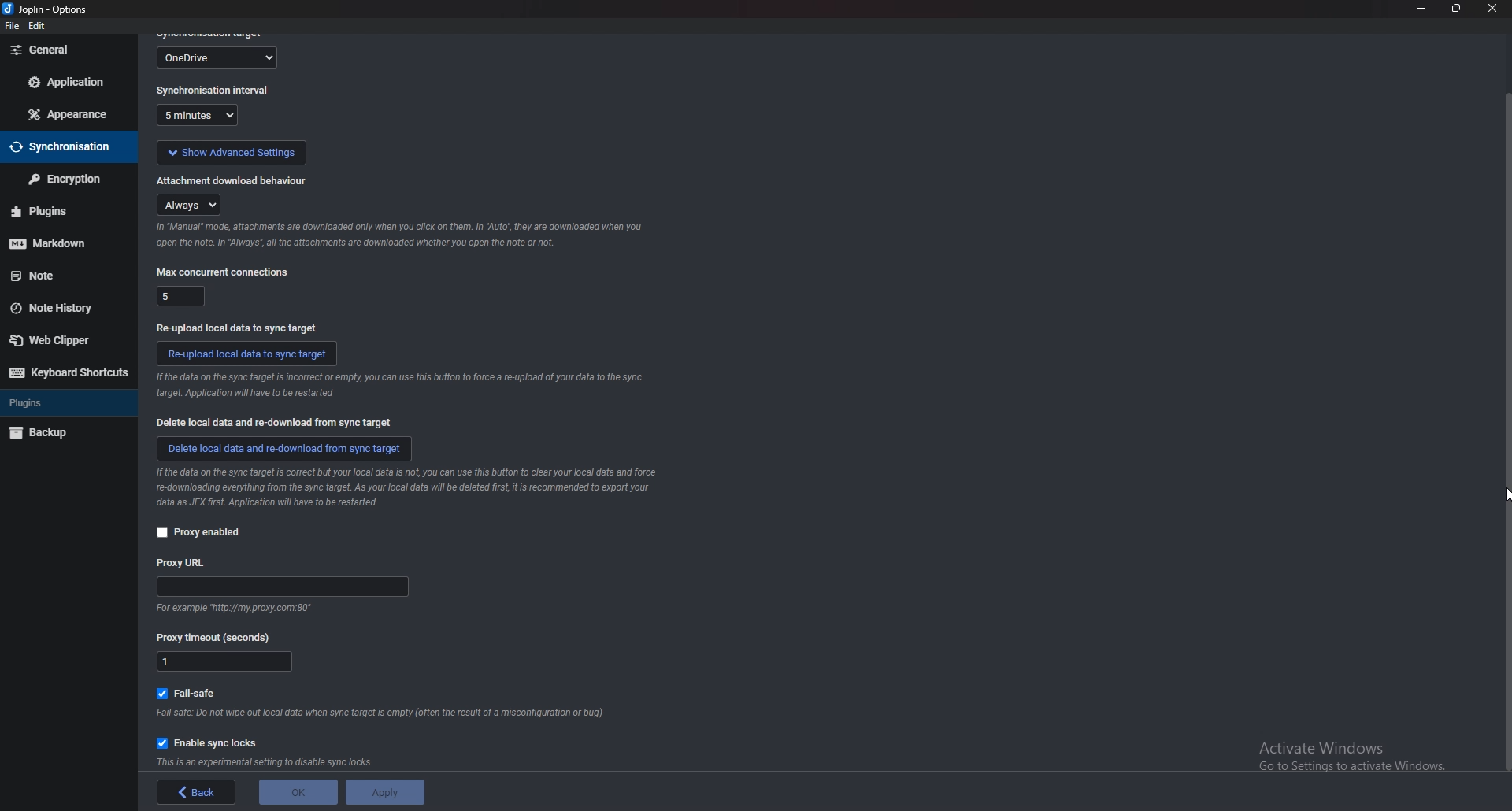 This screenshot has height=811, width=1512. Describe the element at coordinates (222, 272) in the screenshot. I see `max concurrent connections` at that location.